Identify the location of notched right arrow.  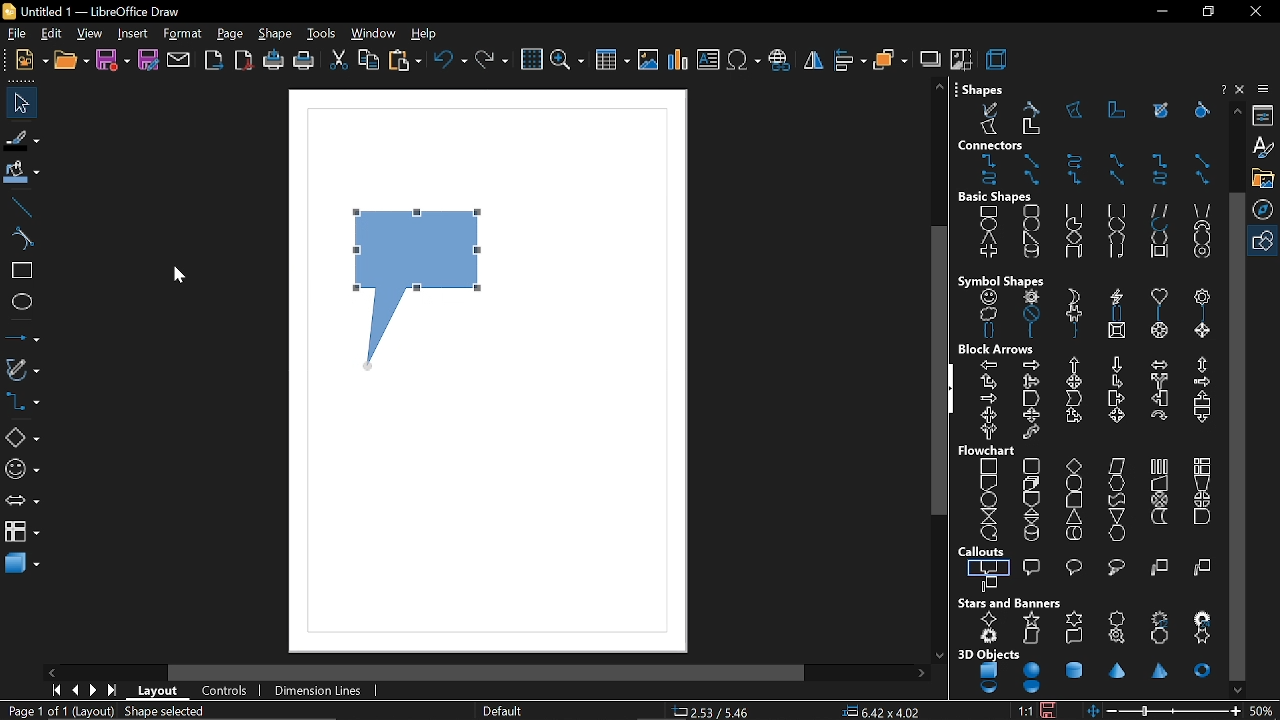
(987, 399).